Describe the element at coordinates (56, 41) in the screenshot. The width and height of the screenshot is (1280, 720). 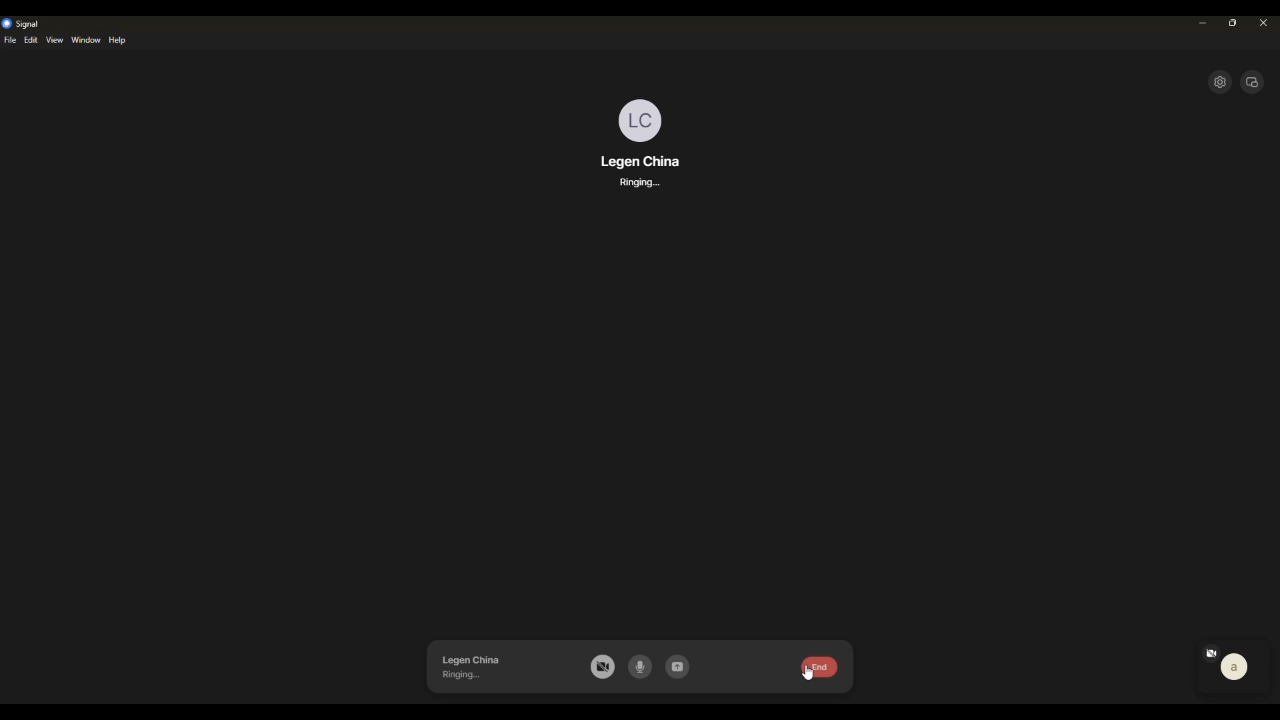
I see `view` at that location.